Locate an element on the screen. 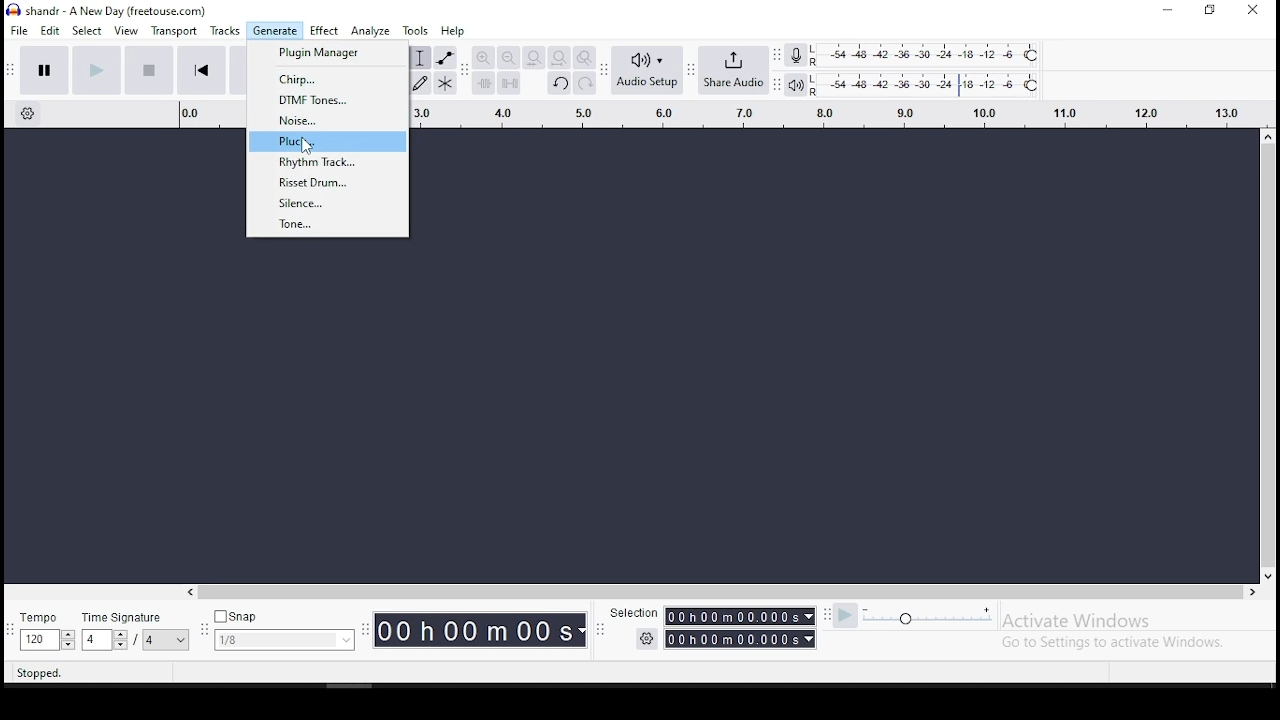 The width and height of the screenshot is (1280, 720). icon and file name is located at coordinates (107, 11).